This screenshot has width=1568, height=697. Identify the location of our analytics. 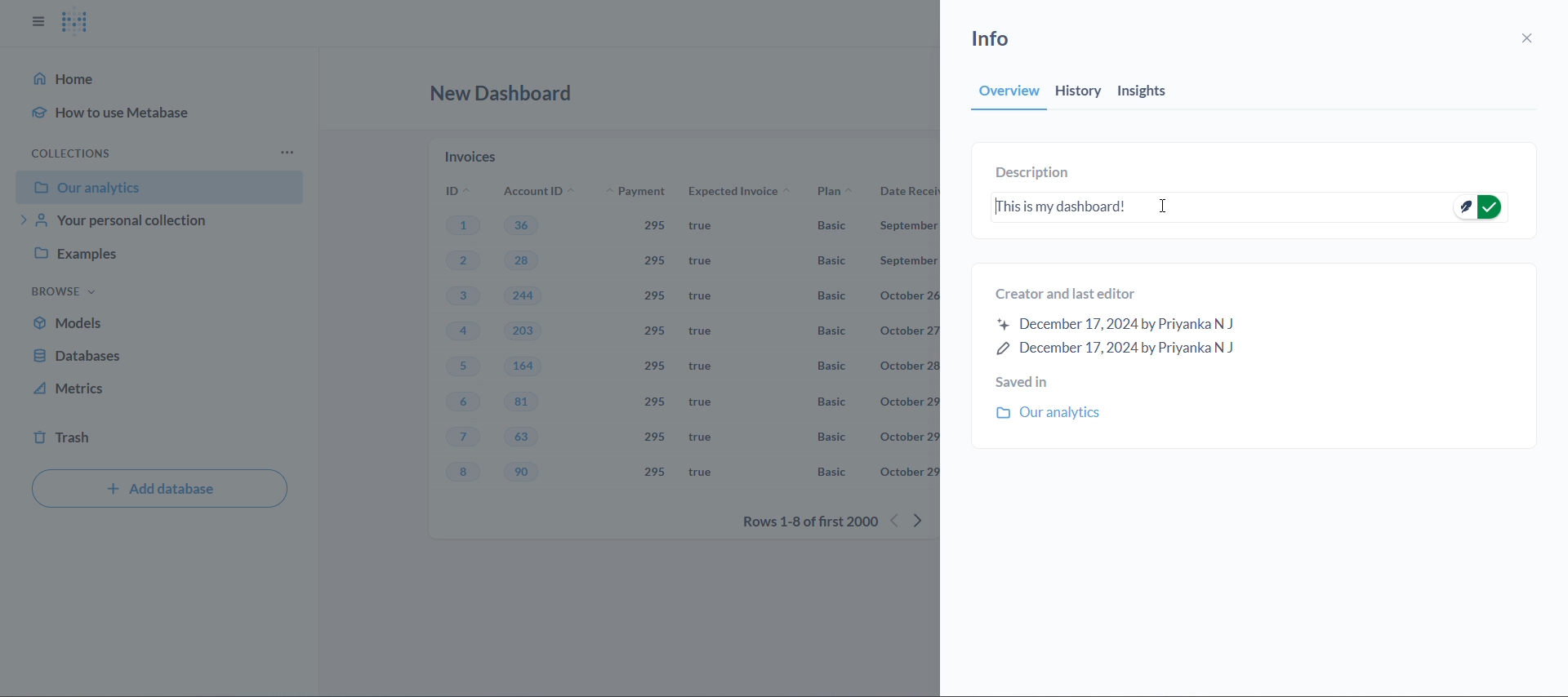
(1055, 412).